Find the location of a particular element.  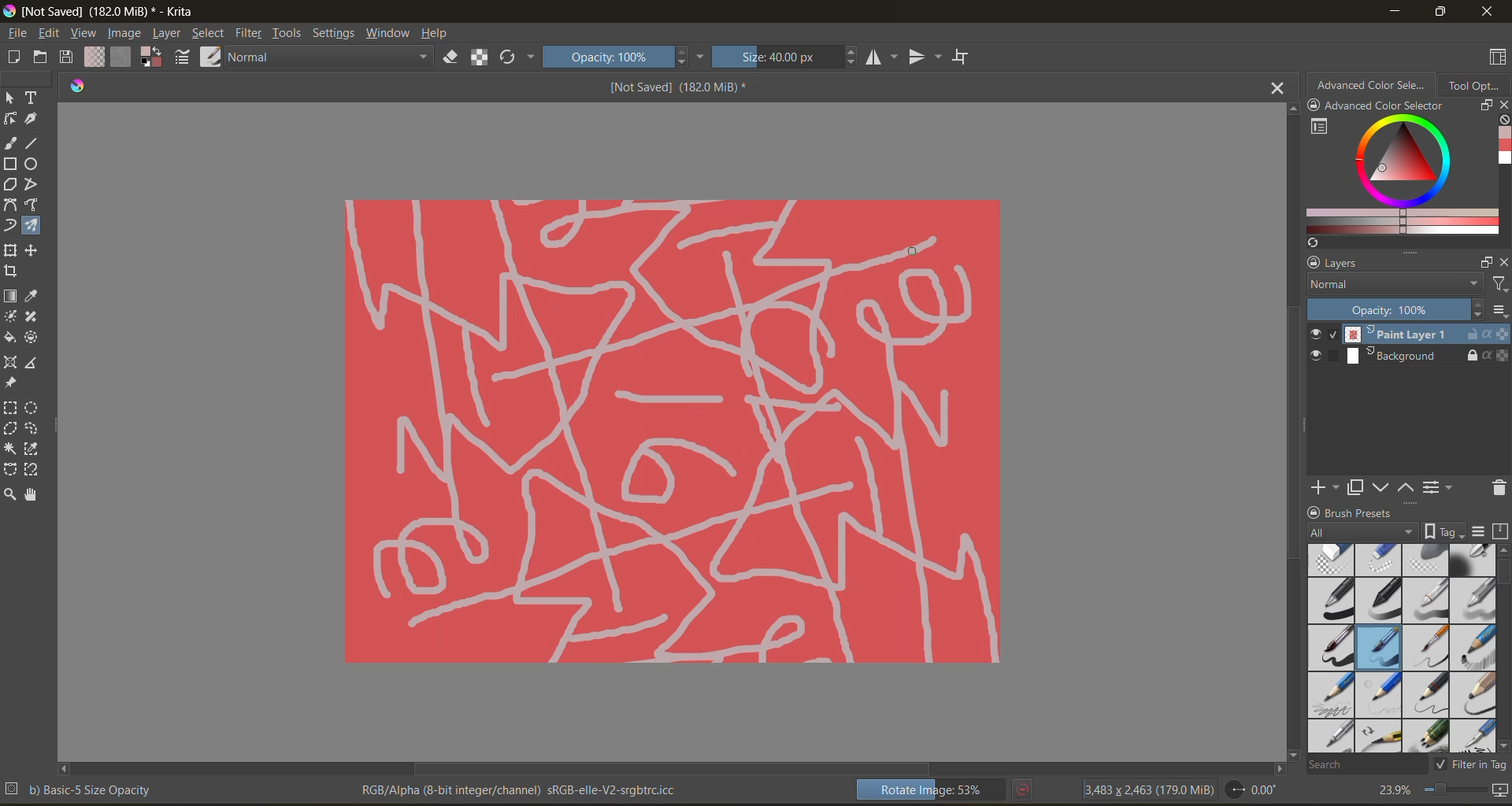

rotated canvas is located at coordinates (643, 432).